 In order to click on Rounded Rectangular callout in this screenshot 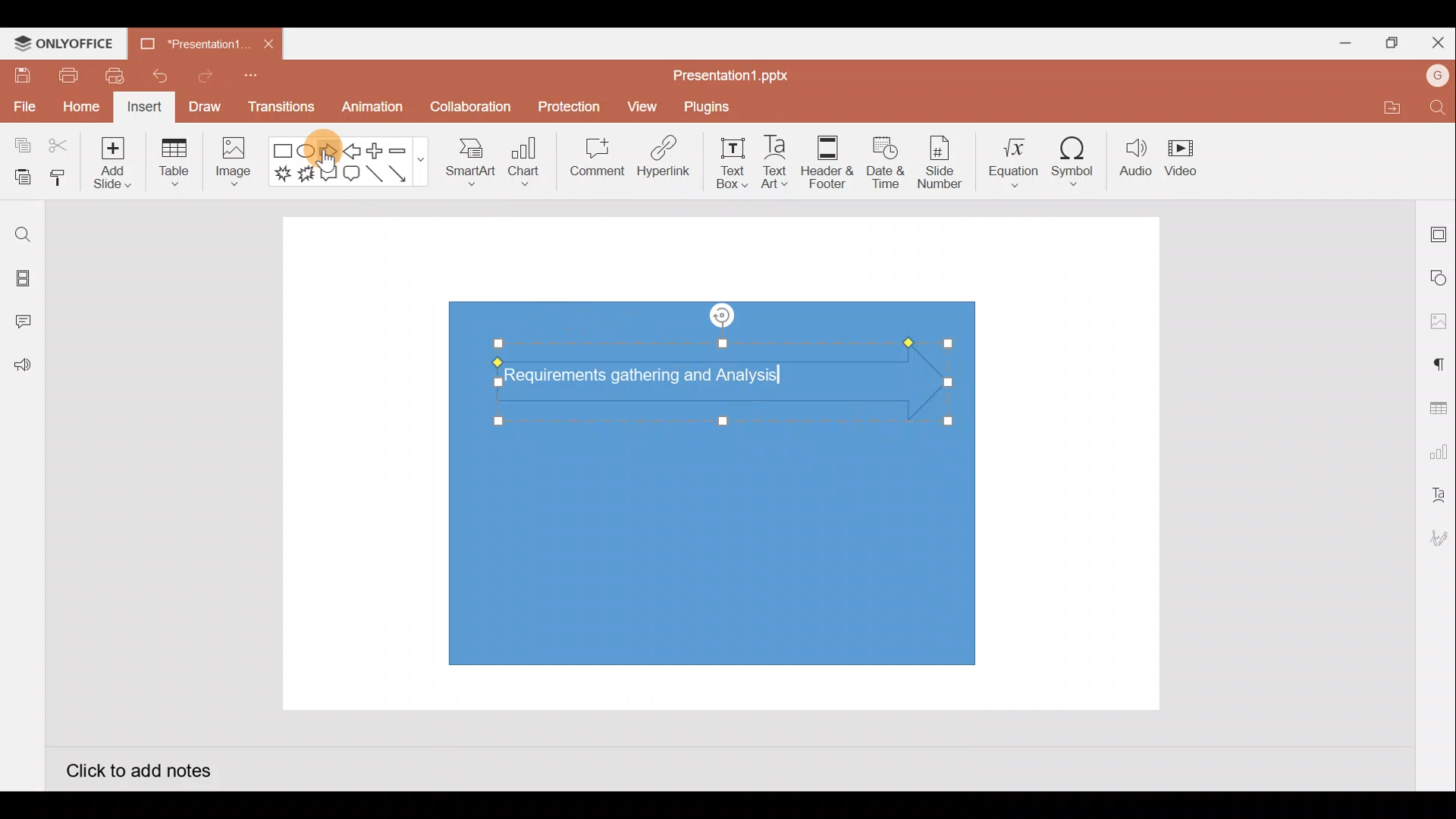, I will do `click(351, 171)`.